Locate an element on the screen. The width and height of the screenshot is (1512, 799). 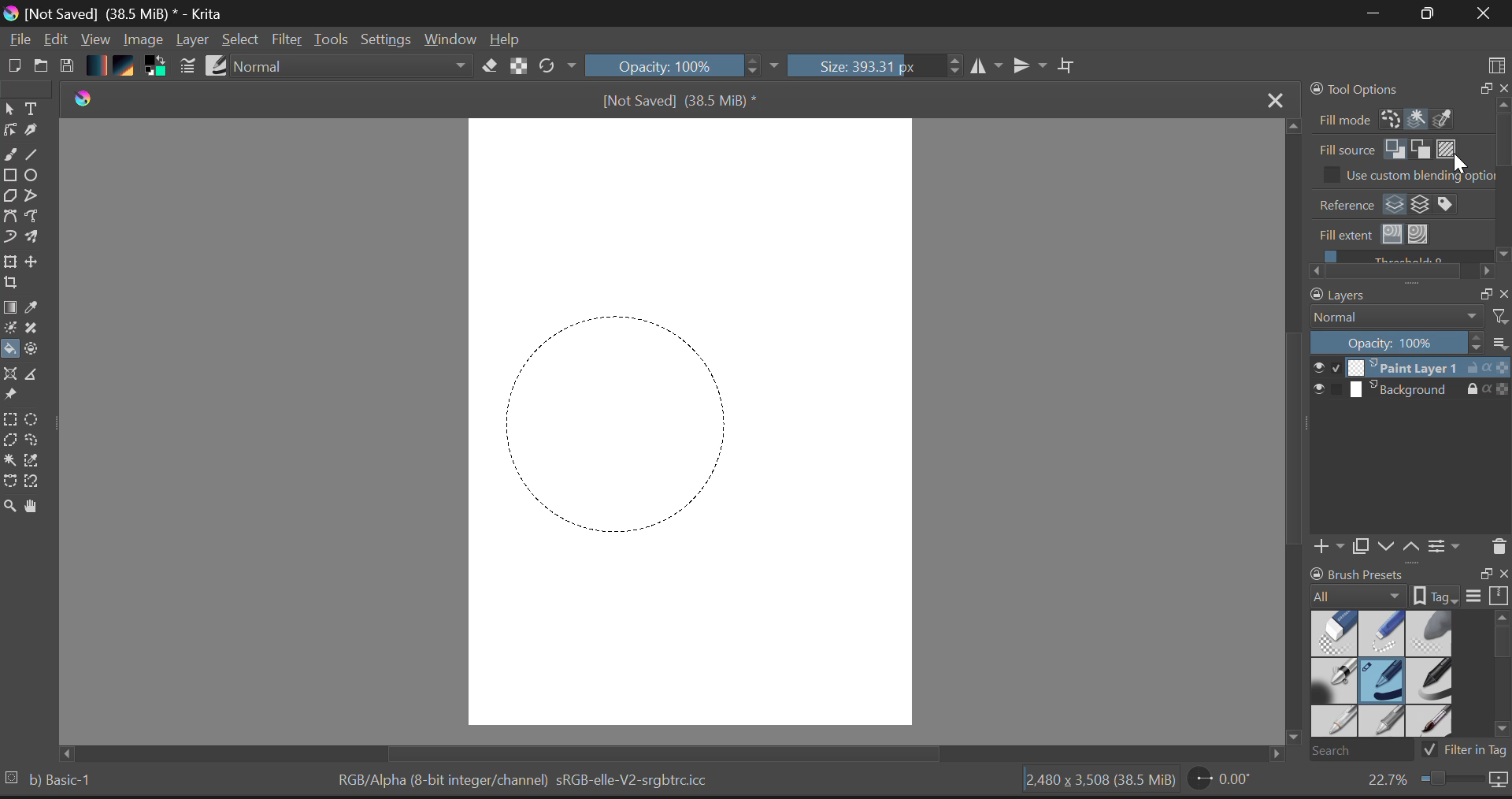
Line is located at coordinates (37, 157).